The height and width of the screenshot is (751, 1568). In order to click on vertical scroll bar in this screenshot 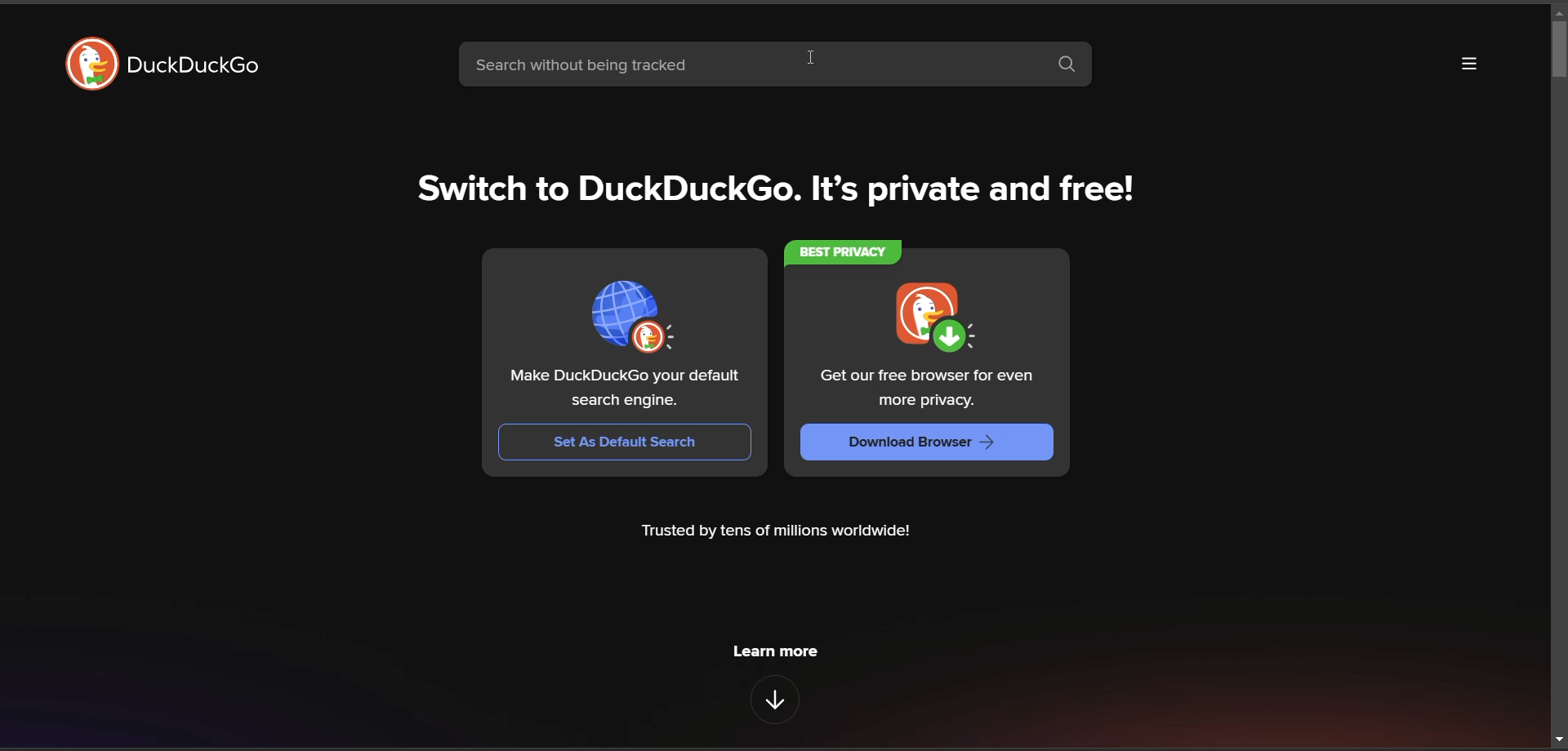, I will do `click(1558, 47)`.